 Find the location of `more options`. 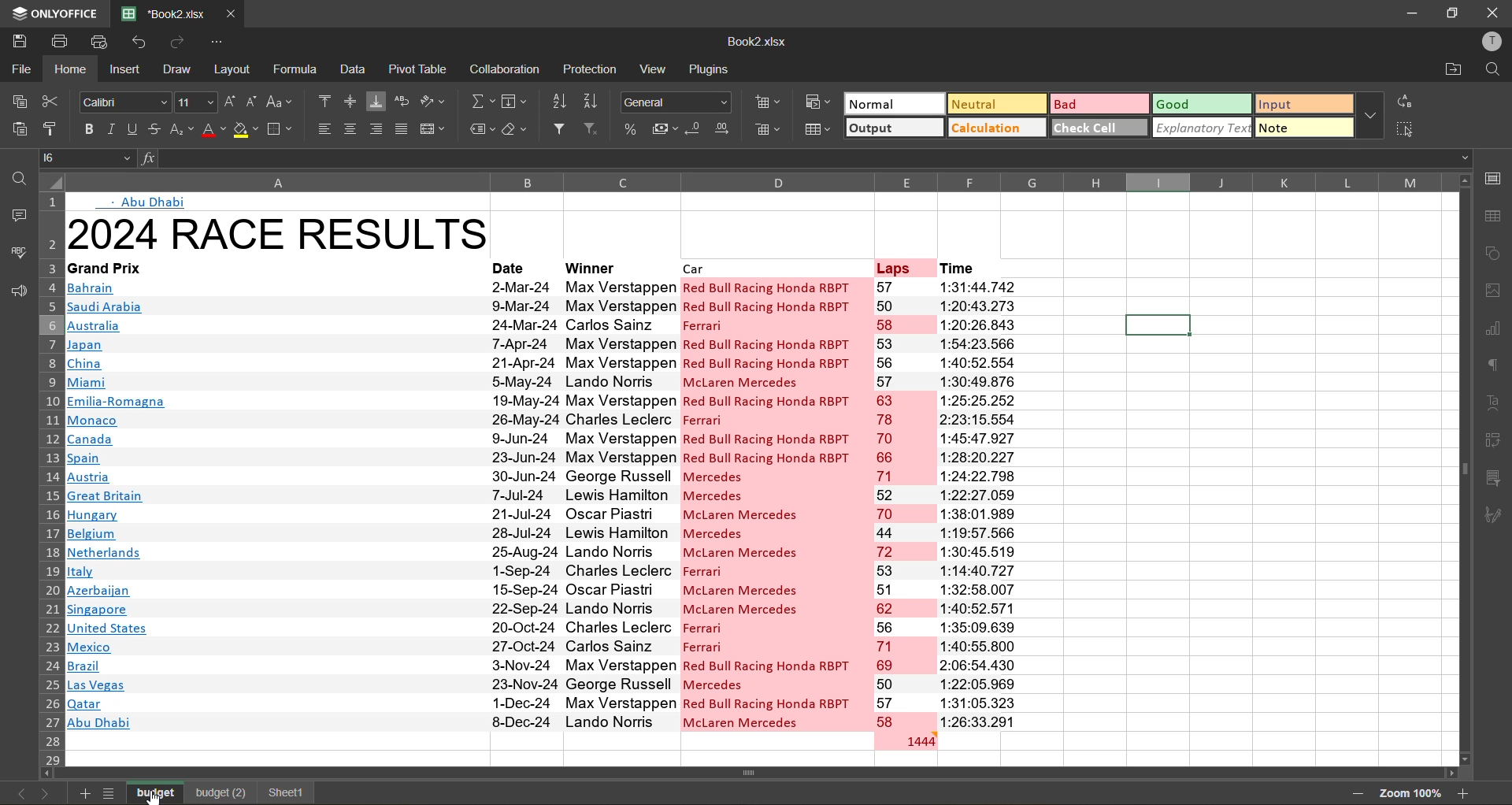

more options is located at coordinates (1369, 116).